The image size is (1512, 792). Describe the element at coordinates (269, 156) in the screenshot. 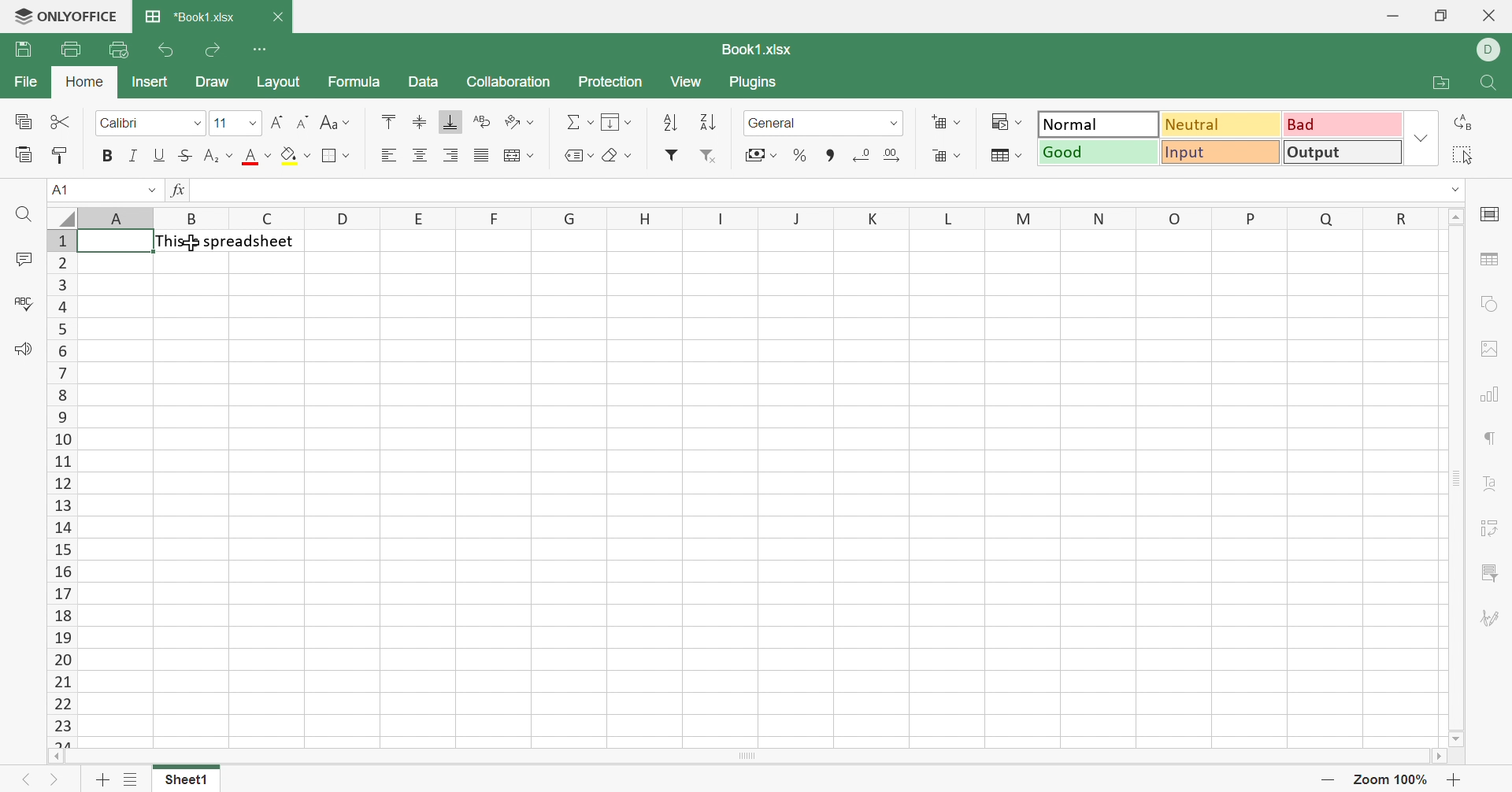

I see `Drop Down` at that location.